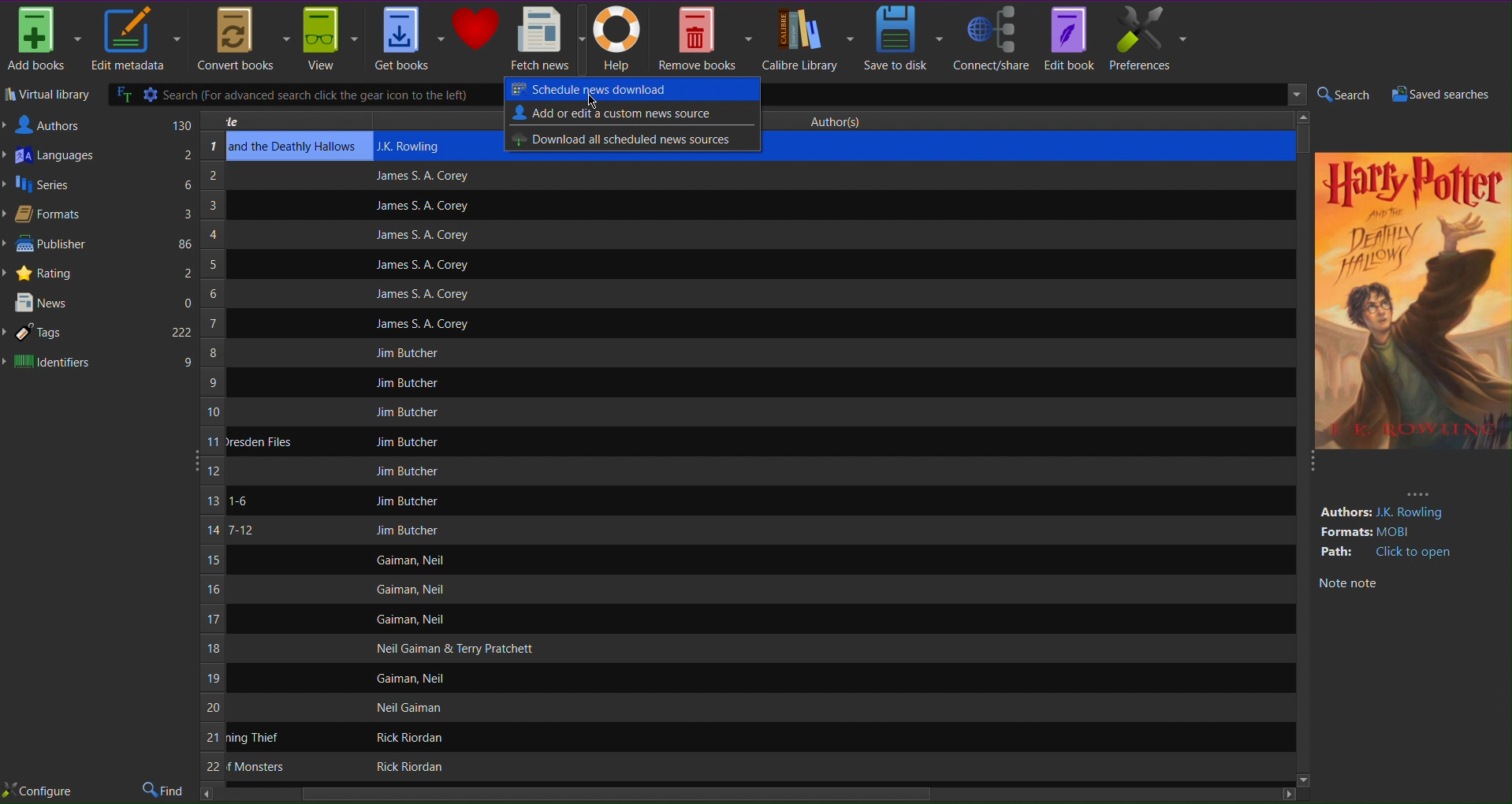  I want to click on close collapse, so click(1309, 466).